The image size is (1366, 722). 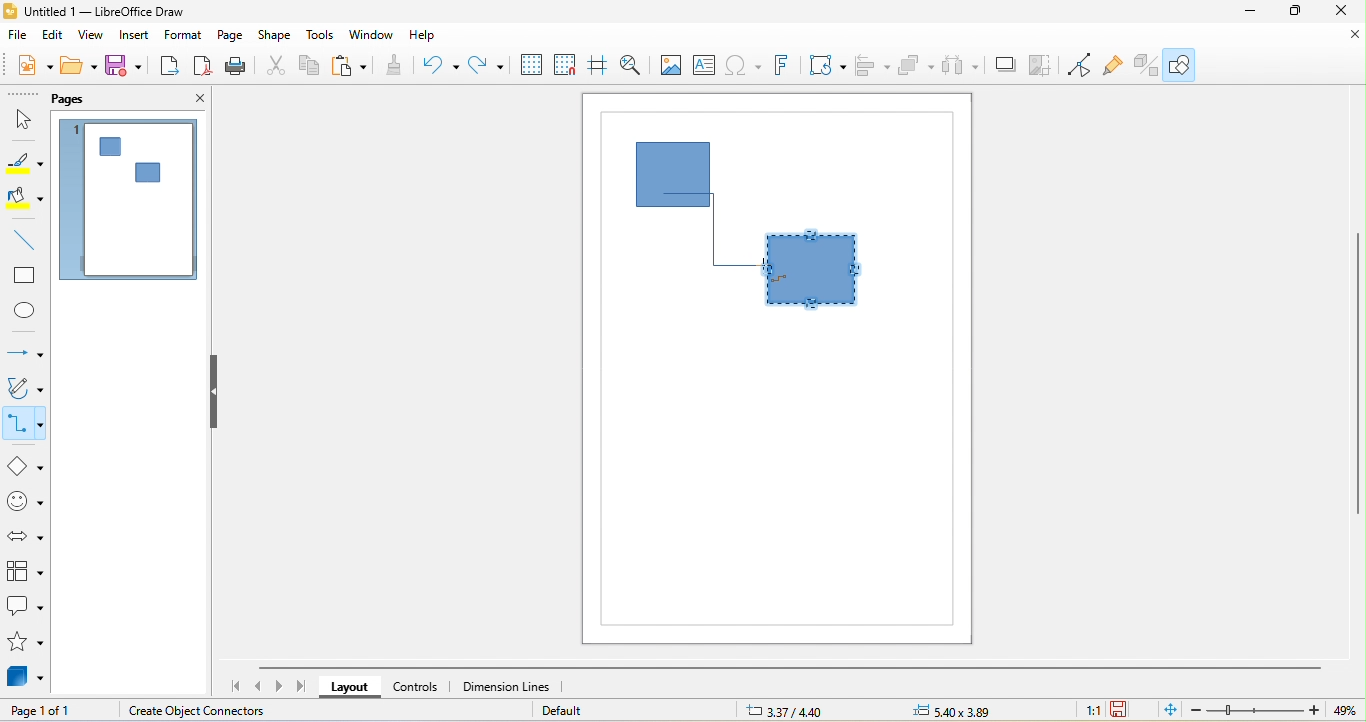 I want to click on extrusion, so click(x=1150, y=65).